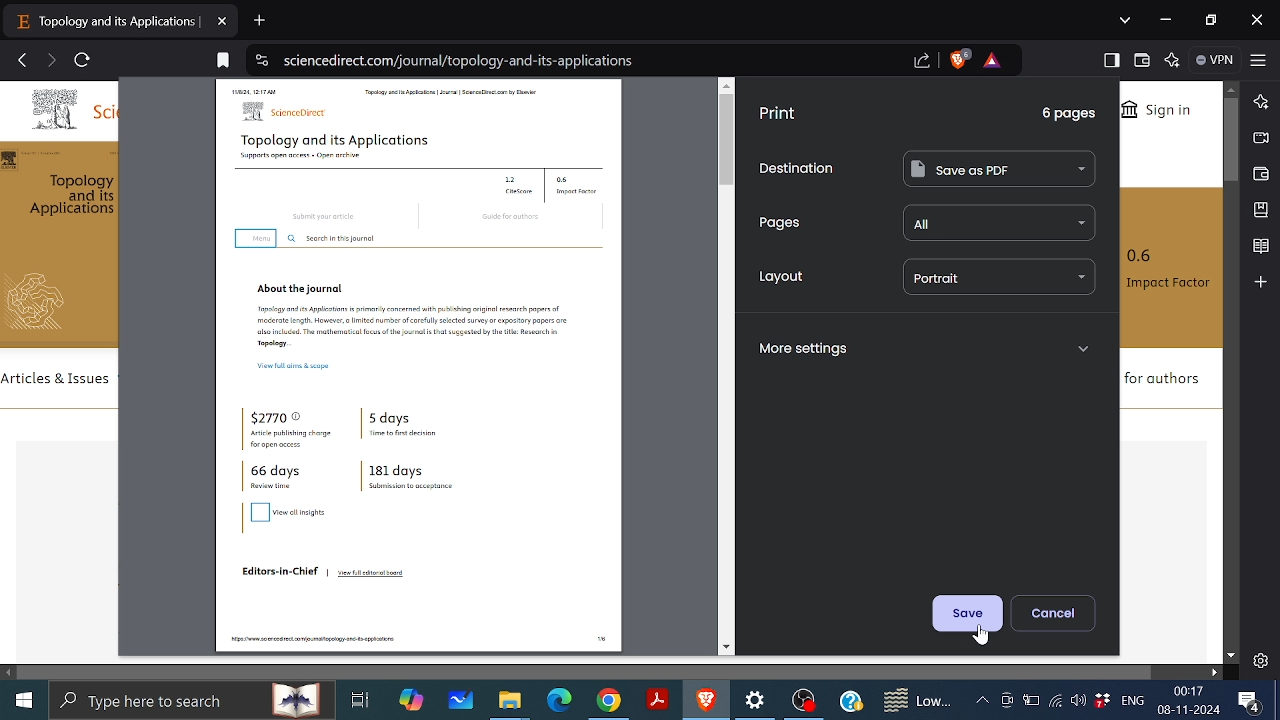 The image size is (1280, 720). Describe the element at coordinates (454, 95) in the screenshot. I see `Topology and its Applications | Journal | ScienceDirect.com by Elsevier` at that location.